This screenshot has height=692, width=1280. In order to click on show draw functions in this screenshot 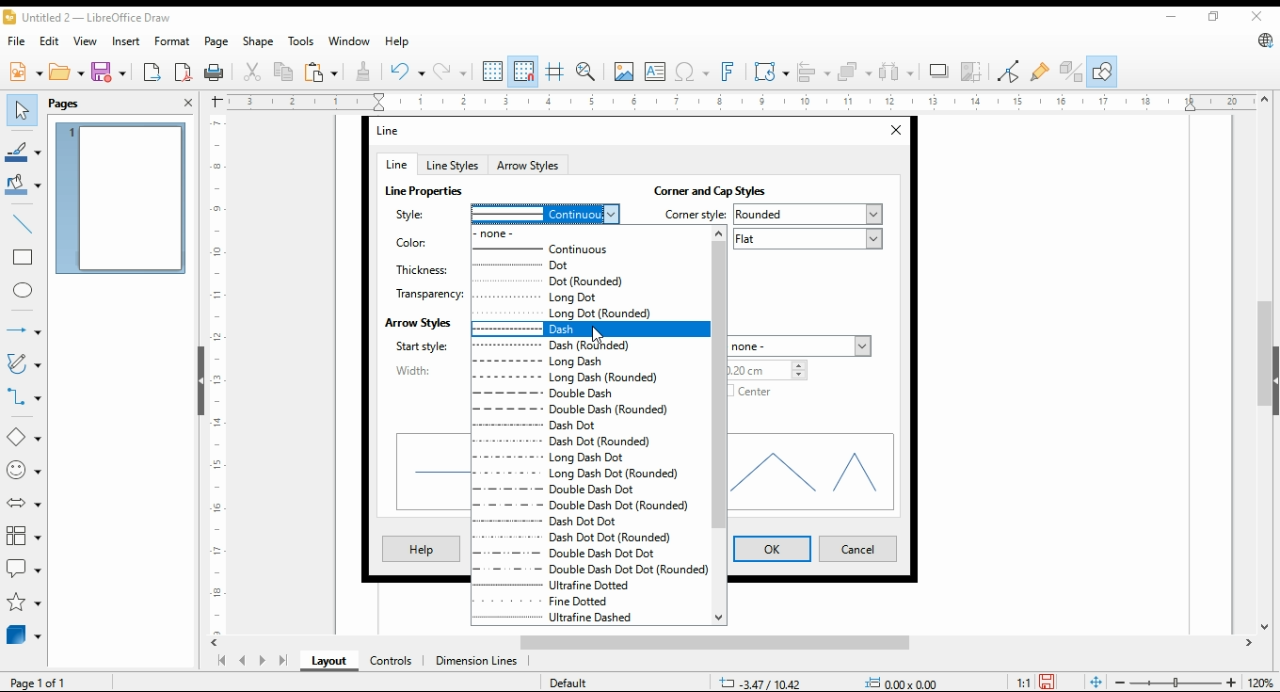, I will do `click(1100, 72)`.